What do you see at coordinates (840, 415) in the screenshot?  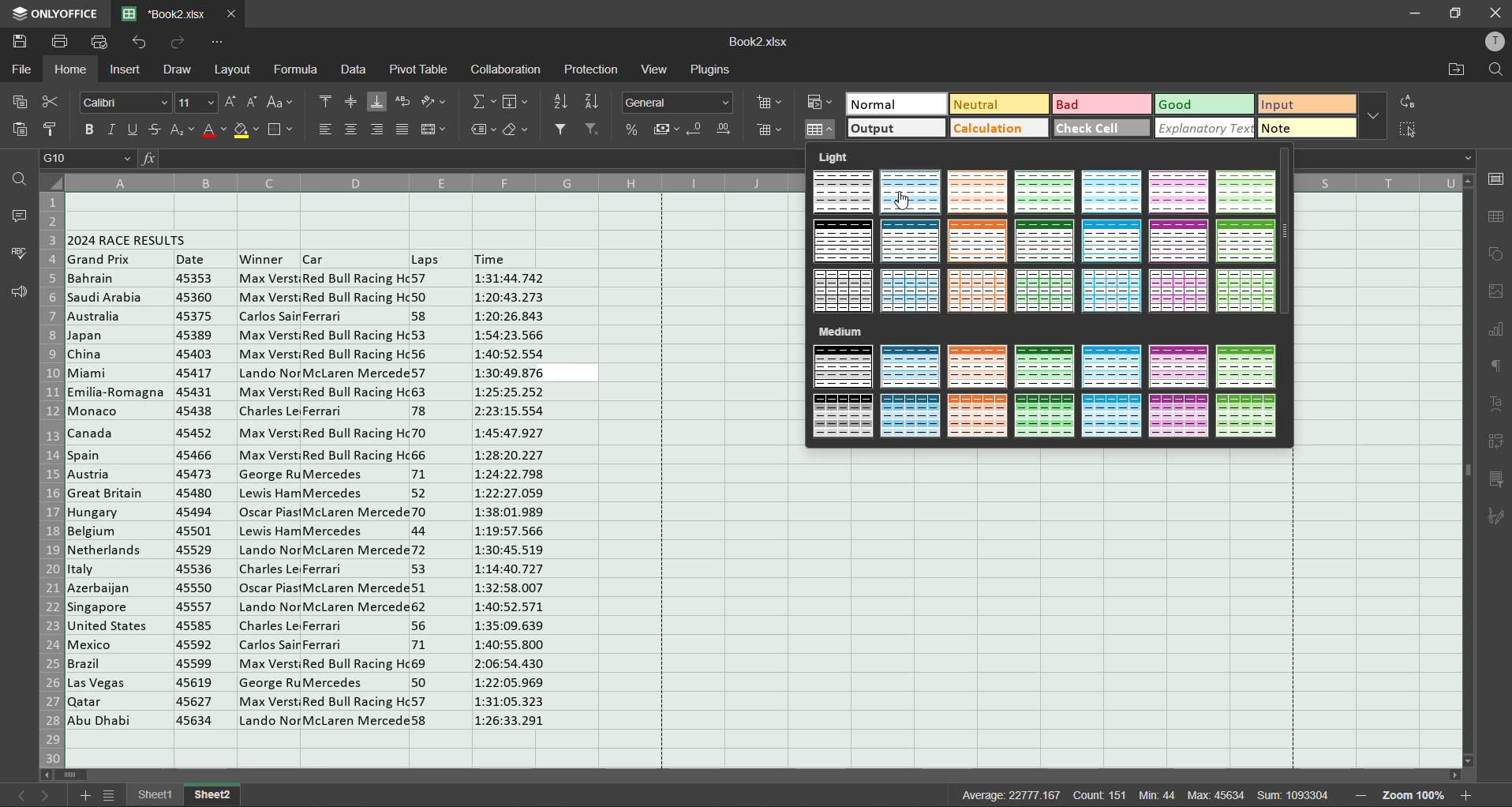 I see `table style medium 8` at bounding box center [840, 415].